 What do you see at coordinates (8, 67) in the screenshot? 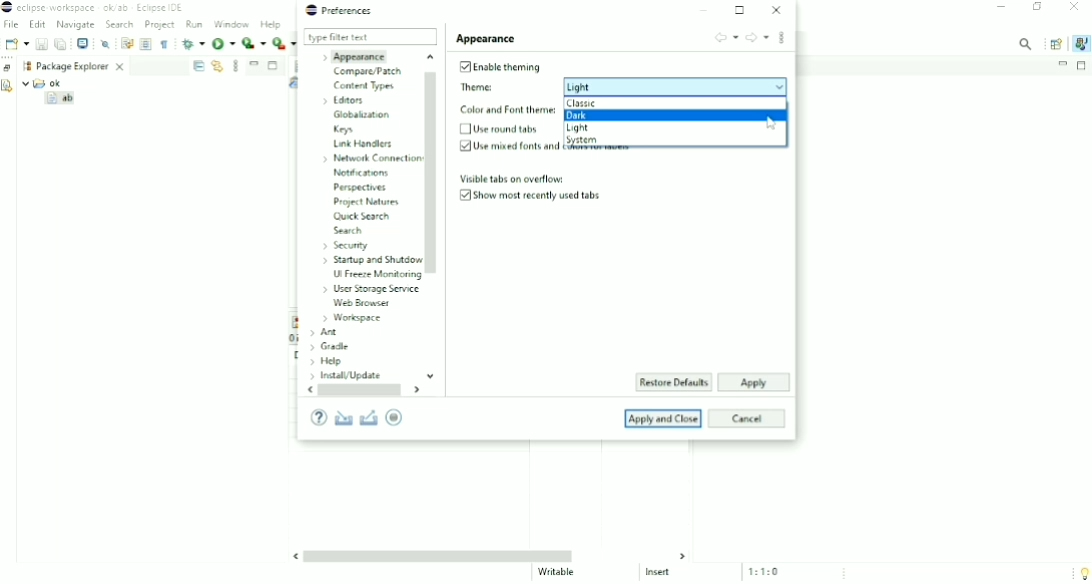
I see `Restore` at bounding box center [8, 67].